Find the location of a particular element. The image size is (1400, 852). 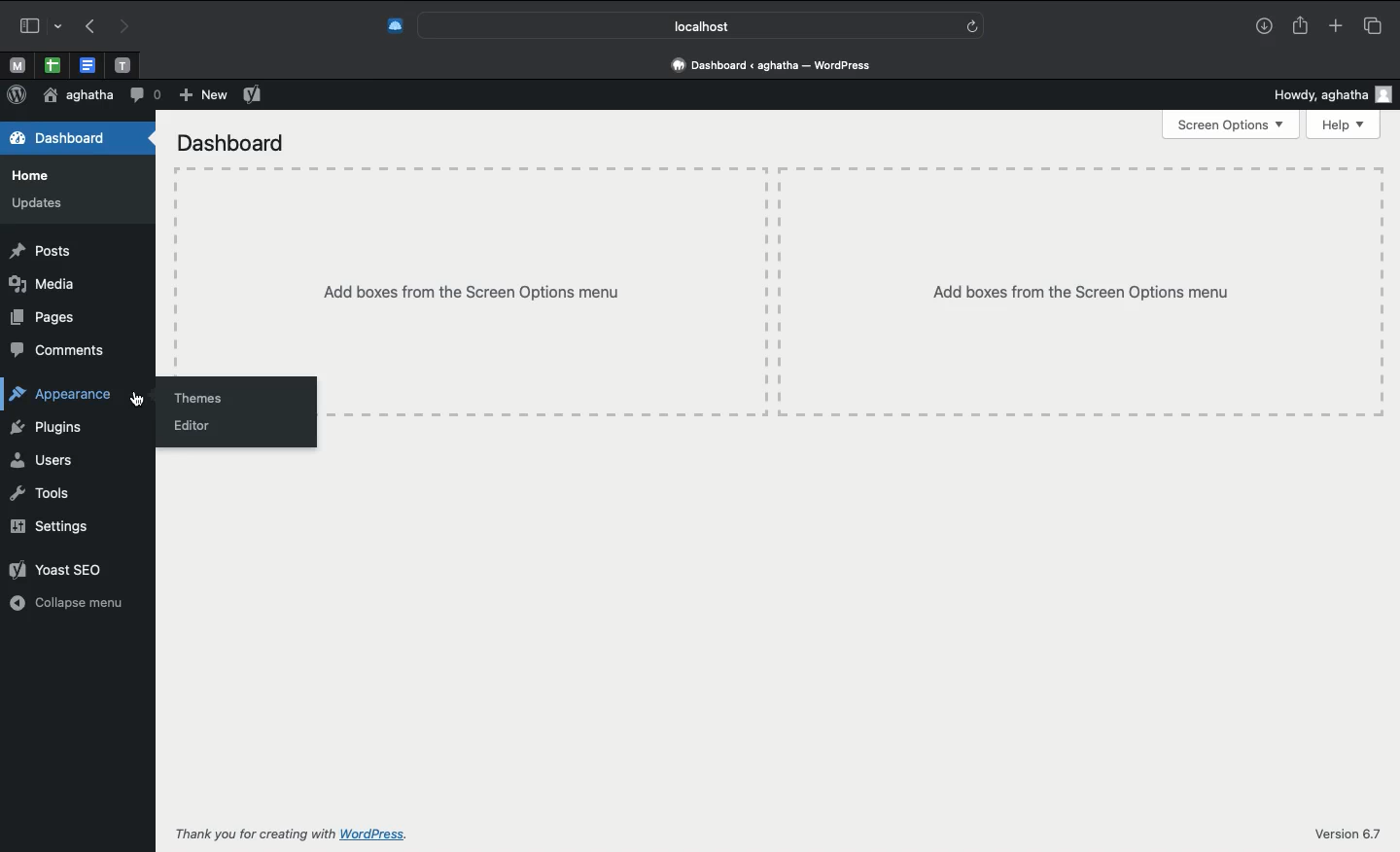

Help is located at coordinates (1347, 124).